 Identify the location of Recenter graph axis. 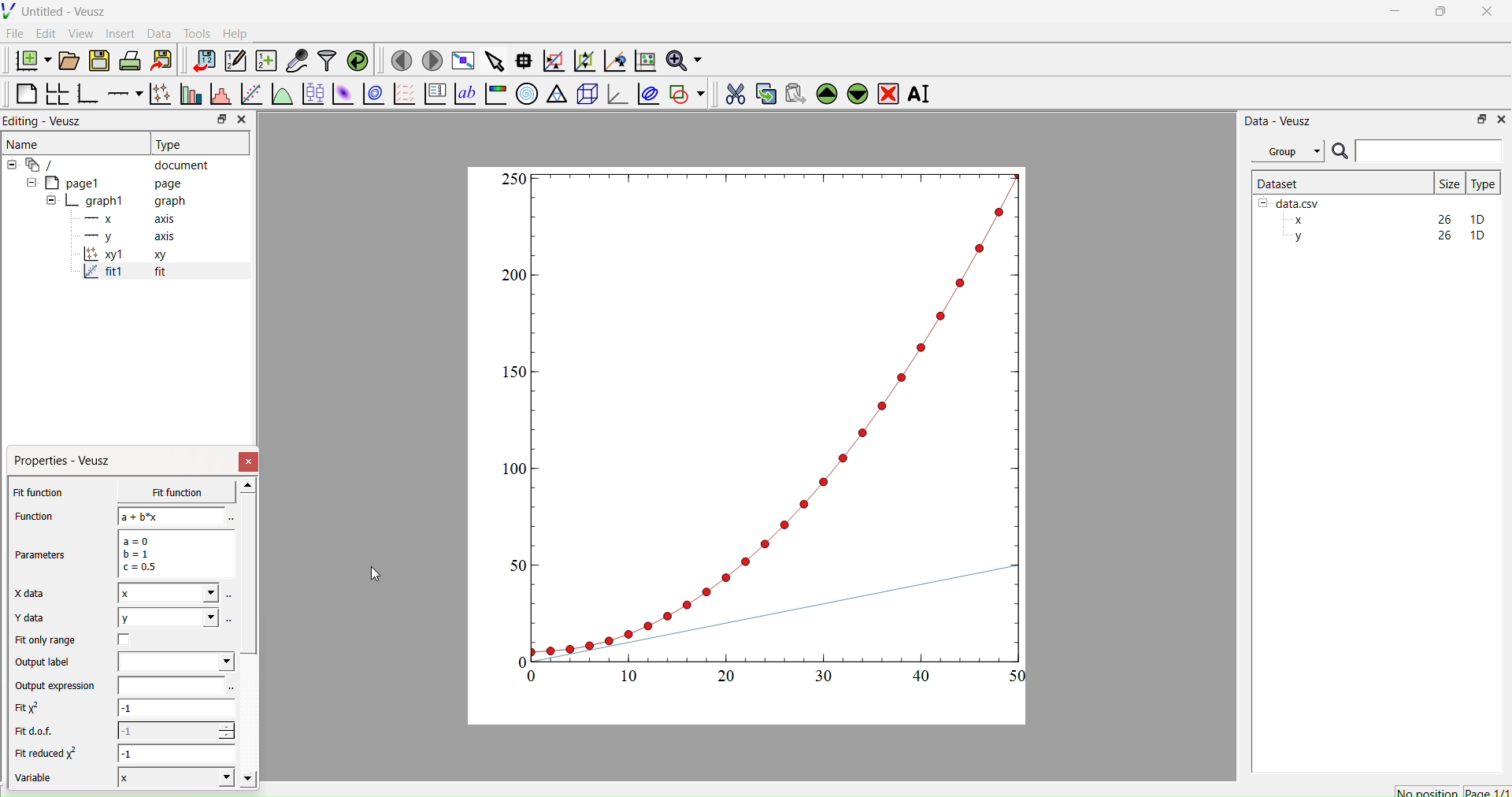
(613, 60).